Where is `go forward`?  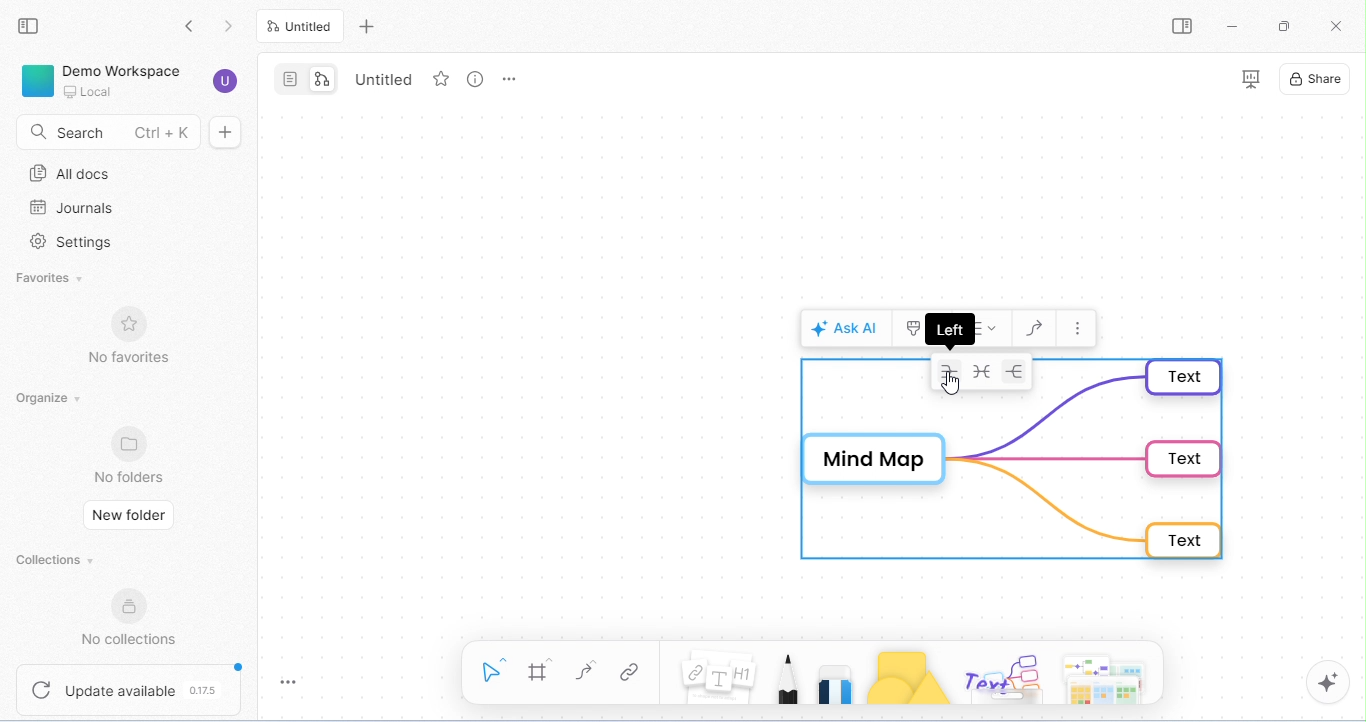 go forward is located at coordinates (230, 24).